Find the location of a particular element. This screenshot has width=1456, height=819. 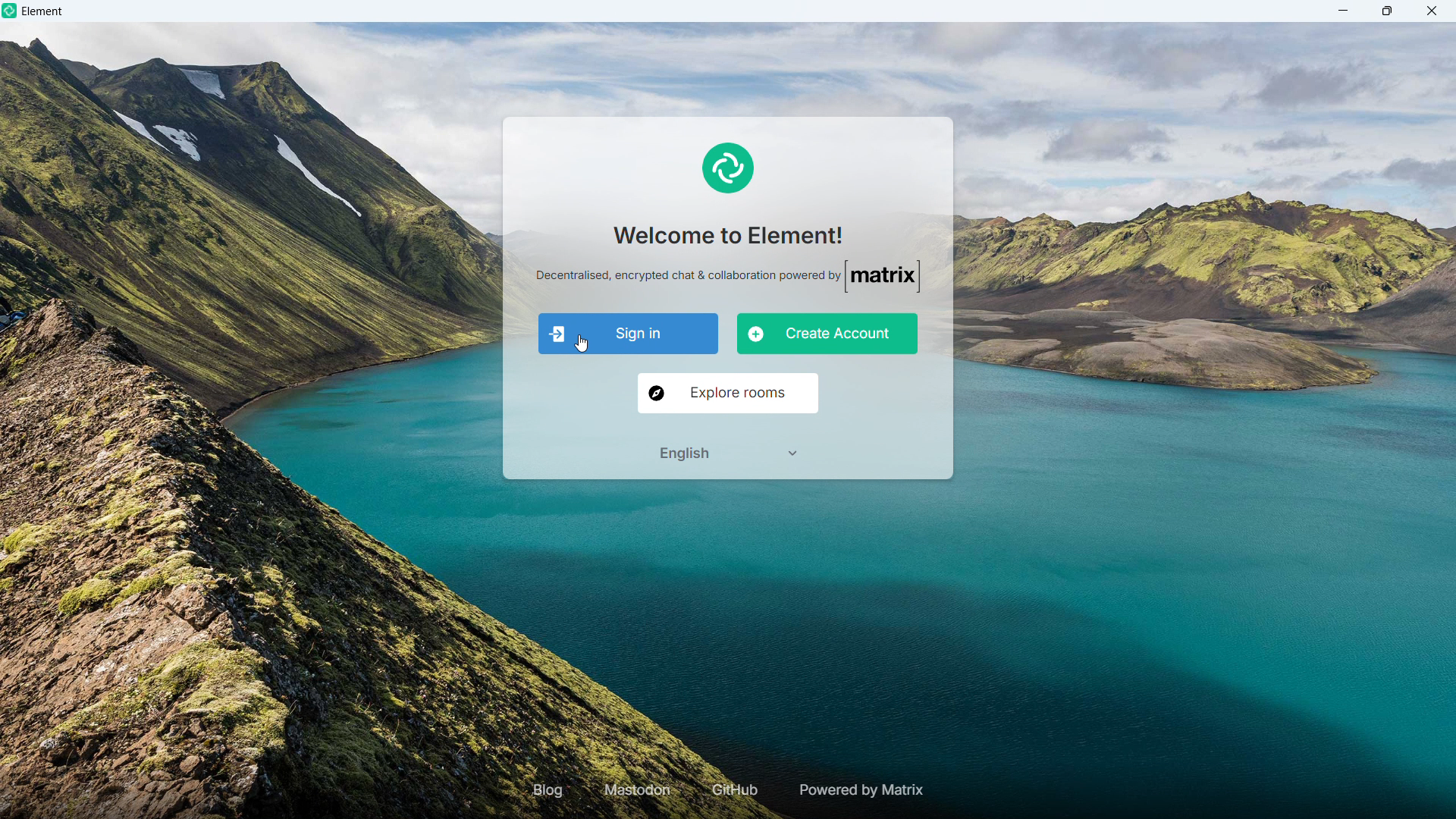

GIT hub  is located at coordinates (732, 791).